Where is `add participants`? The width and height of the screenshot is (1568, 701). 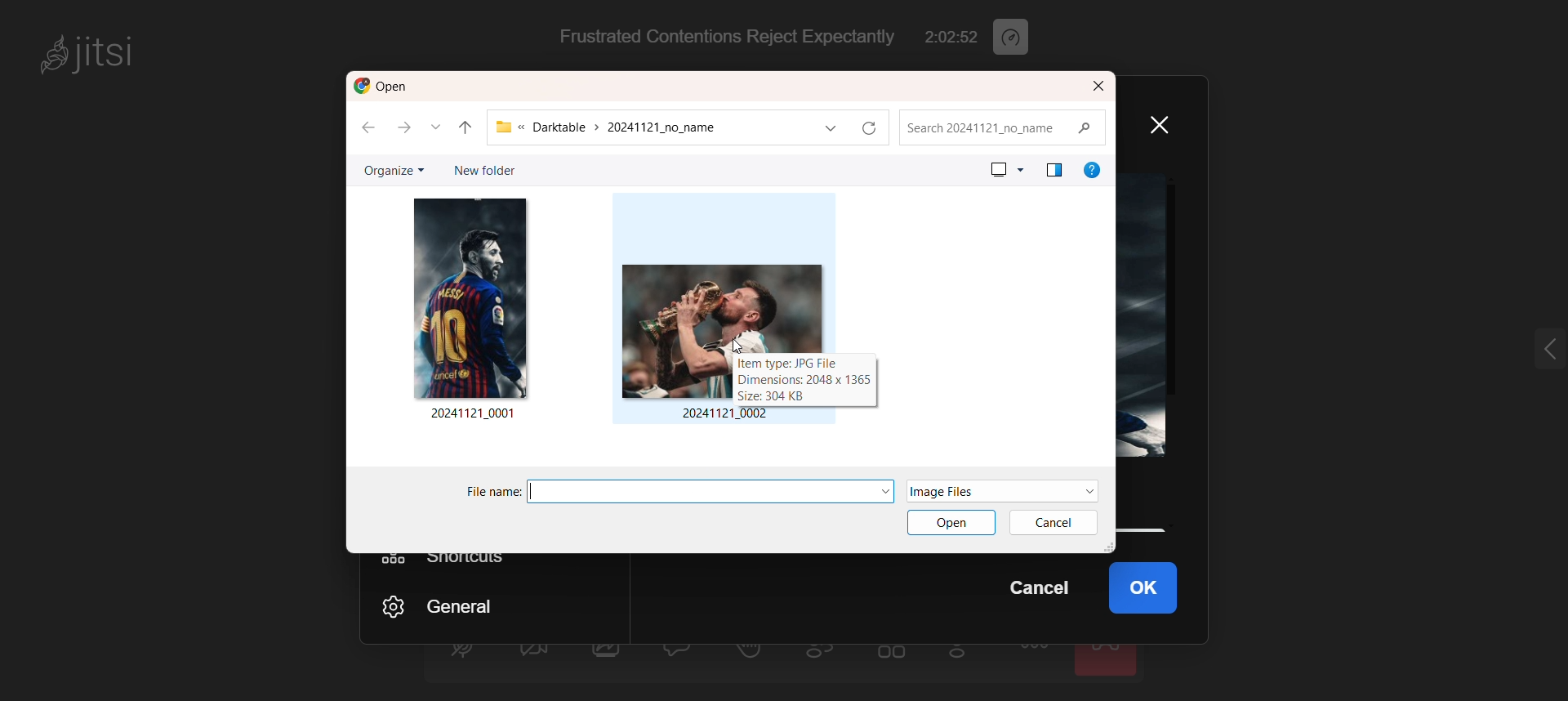 add participants is located at coordinates (962, 655).